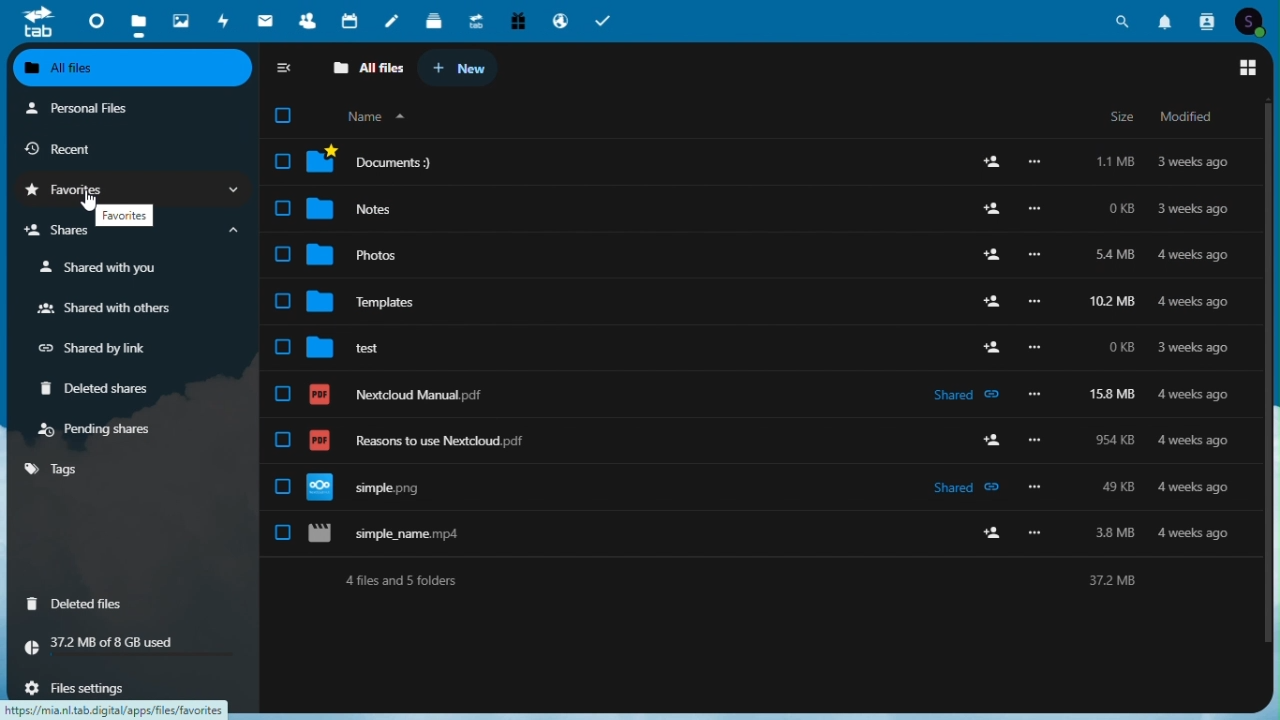  What do you see at coordinates (131, 67) in the screenshot?
I see `All files` at bounding box center [131, 67].